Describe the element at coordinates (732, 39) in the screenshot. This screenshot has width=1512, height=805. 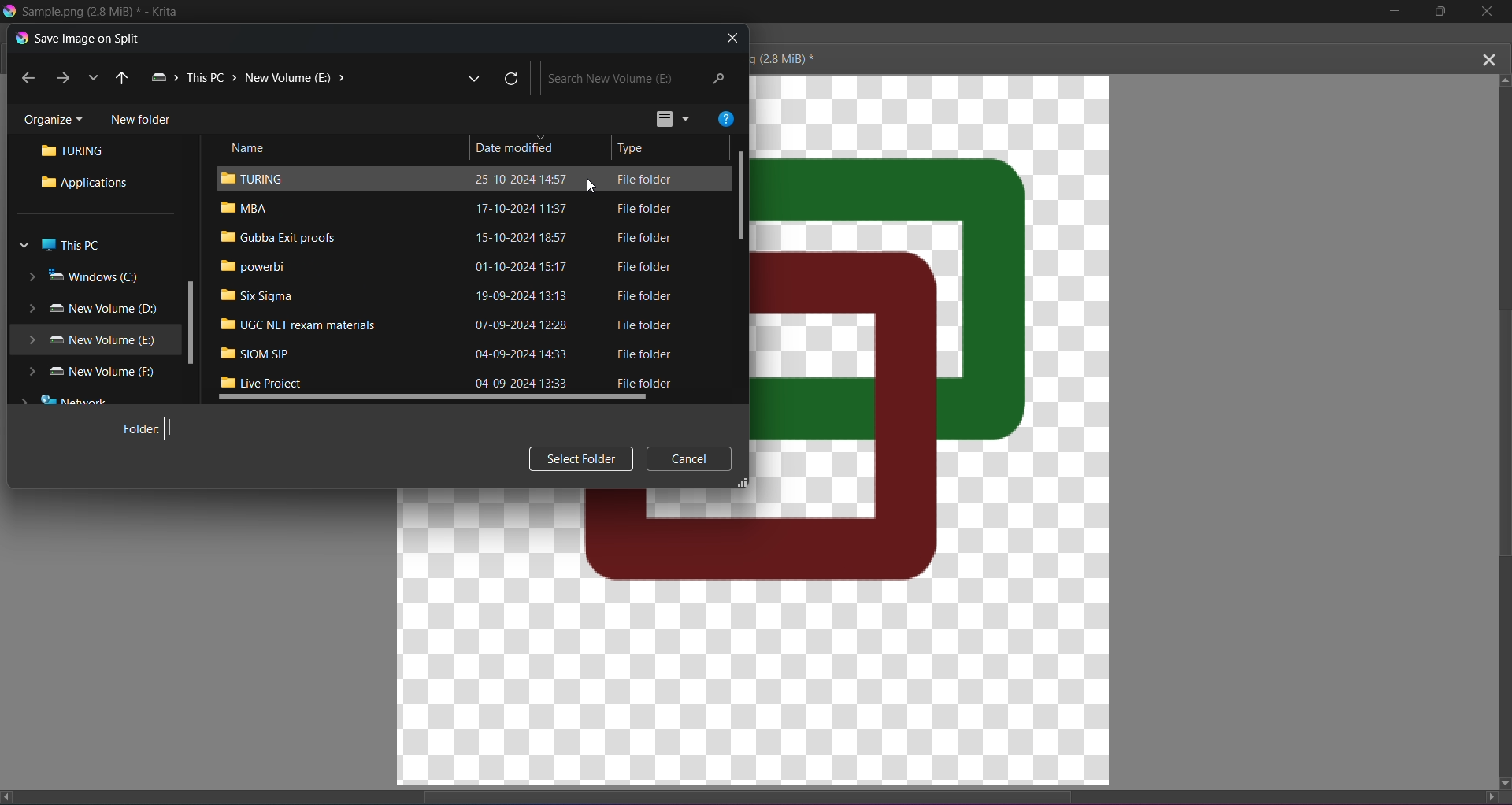
I see `Close` at that location.